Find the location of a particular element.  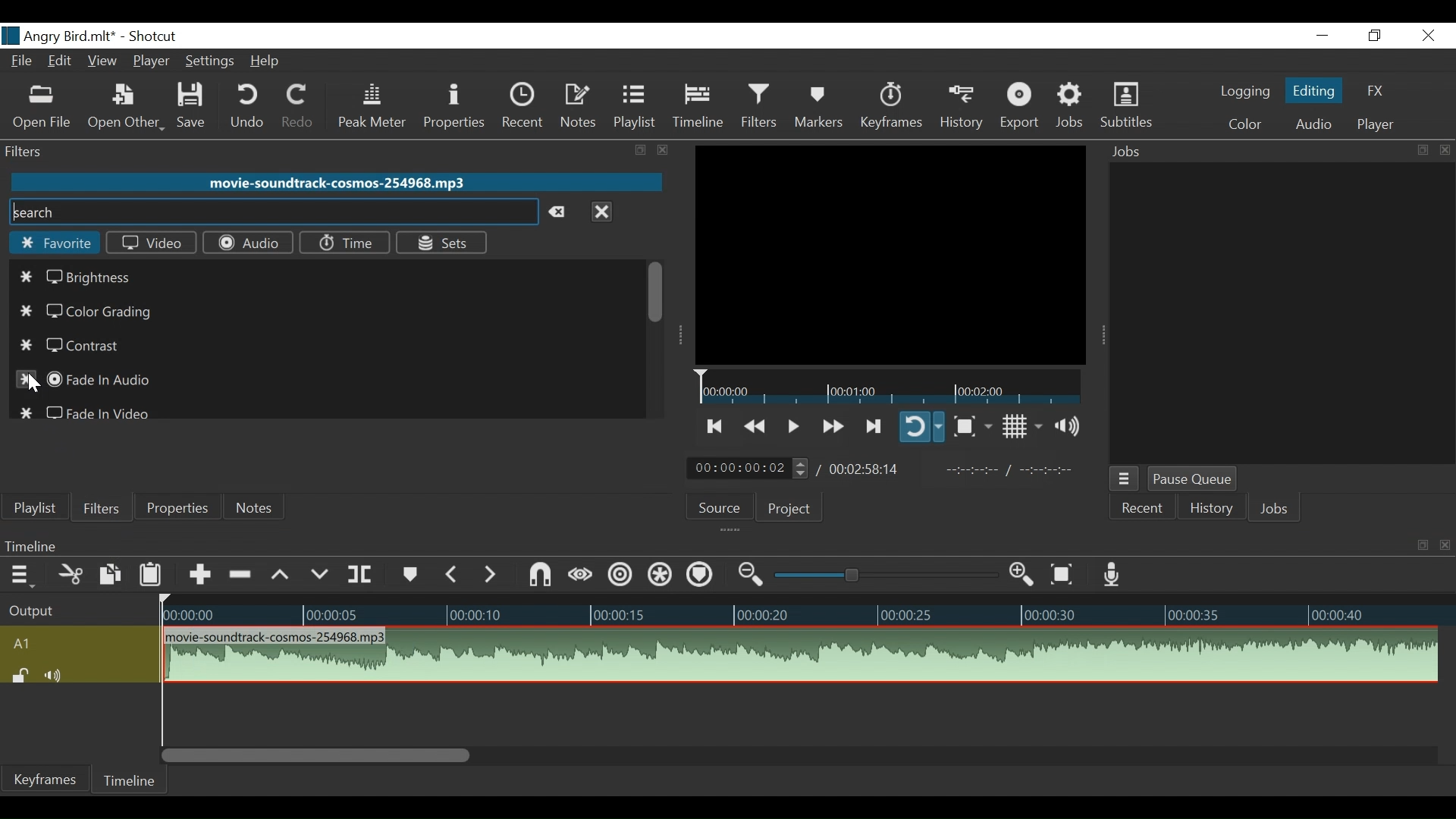

close is located at coordinates (1442, 544).